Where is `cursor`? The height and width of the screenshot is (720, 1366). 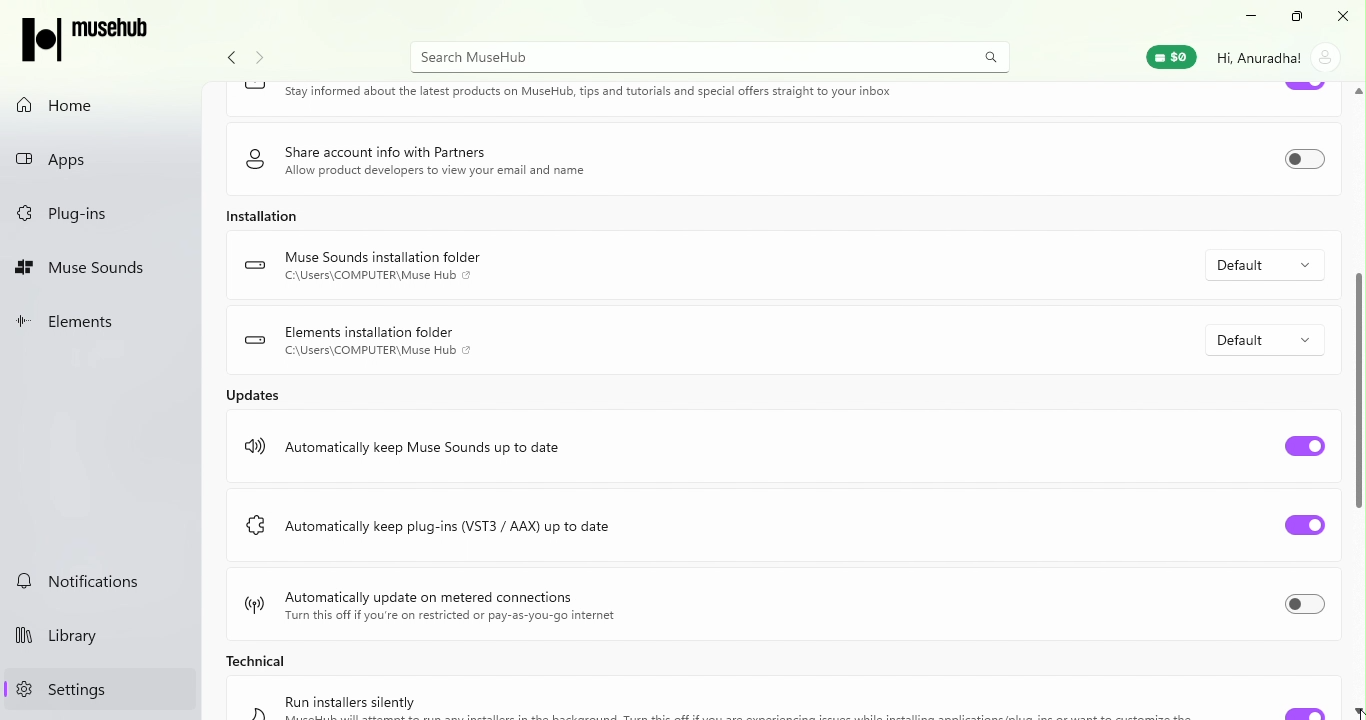
cursor is located at coordinates (1357, 715).